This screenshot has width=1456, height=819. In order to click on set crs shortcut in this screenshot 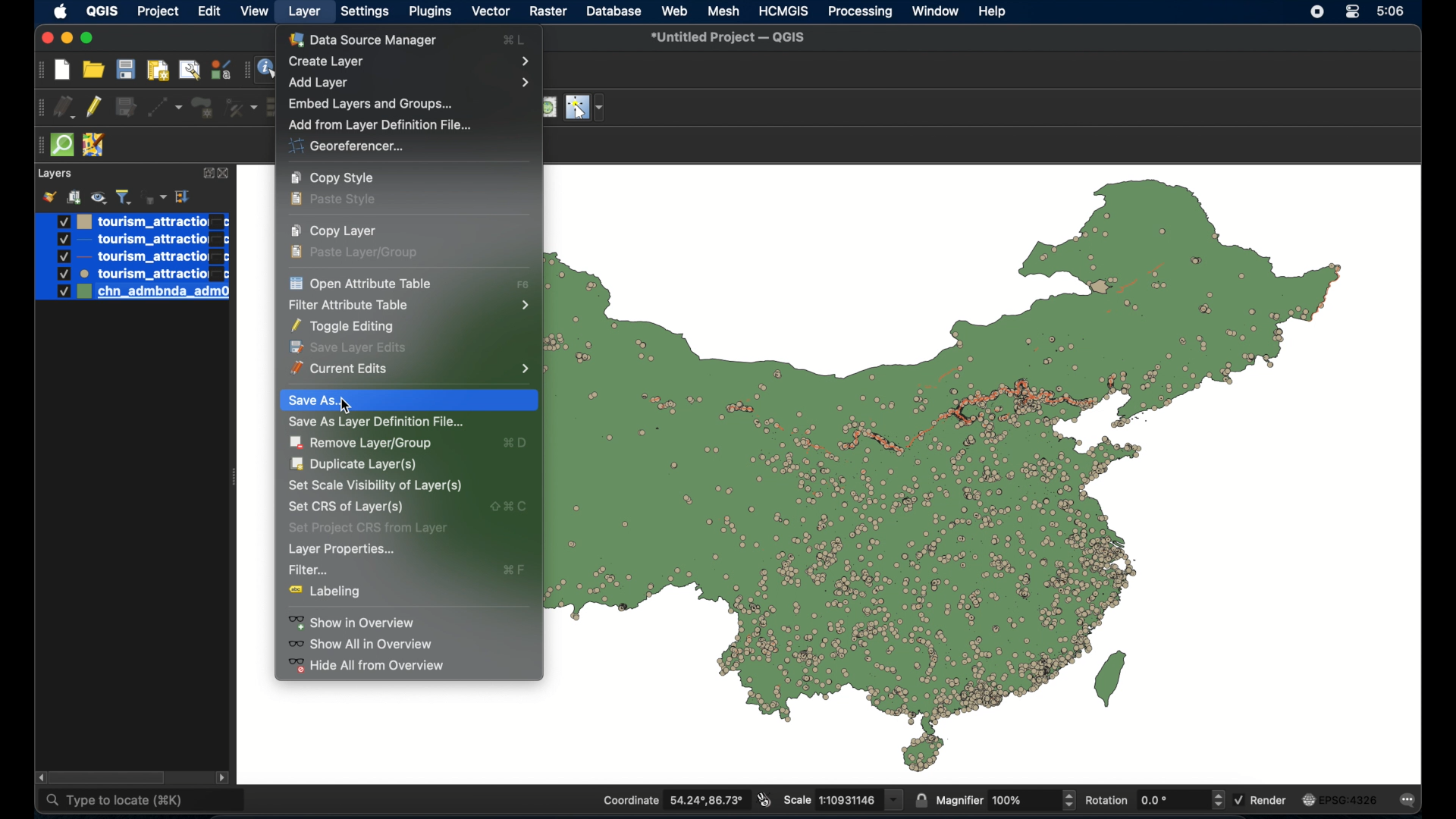, I will do `click(507, 507)`.